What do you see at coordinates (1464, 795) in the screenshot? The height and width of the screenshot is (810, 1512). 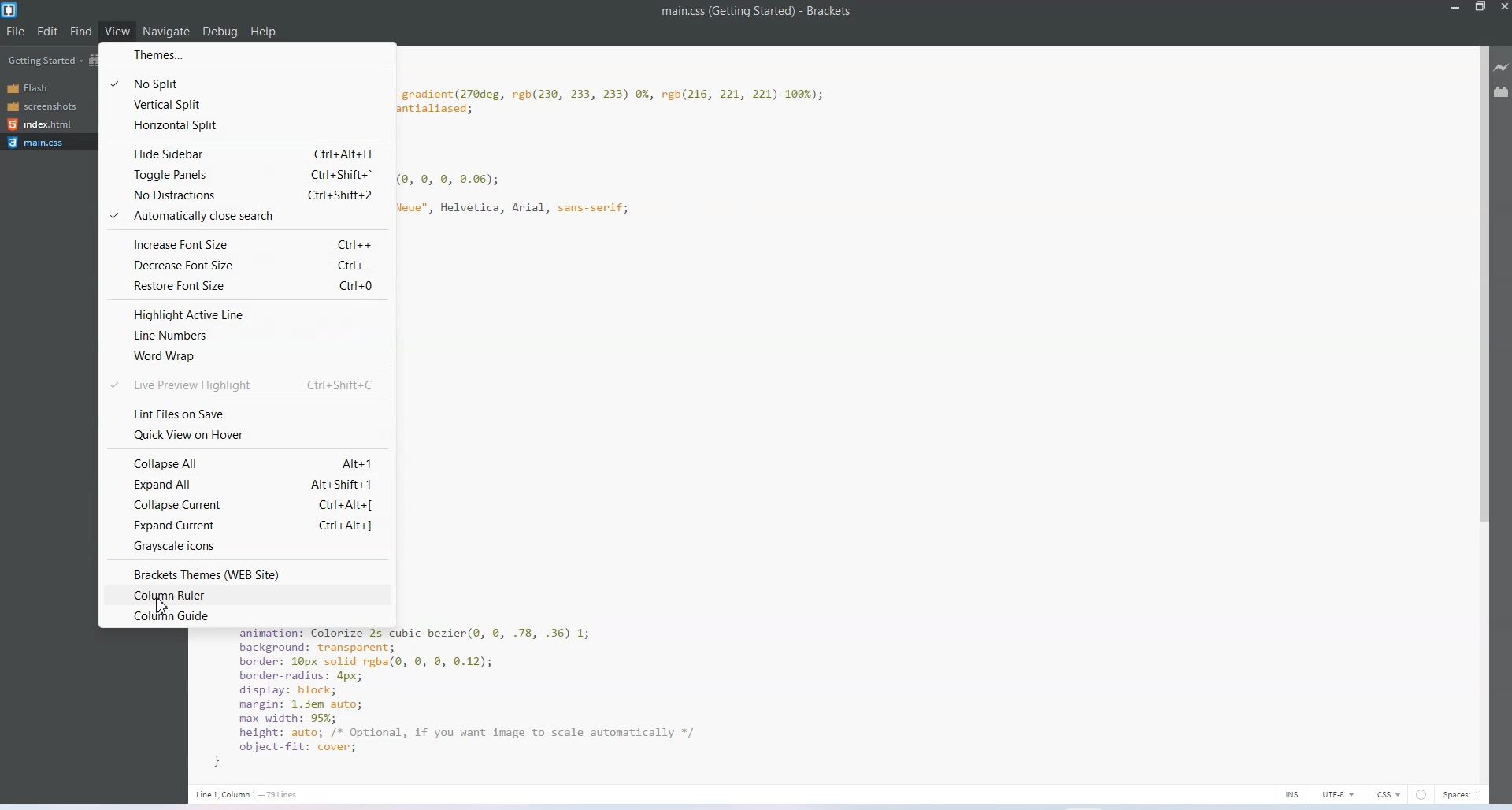 I see `Spaces 1` at bounding box center [1464, 795].